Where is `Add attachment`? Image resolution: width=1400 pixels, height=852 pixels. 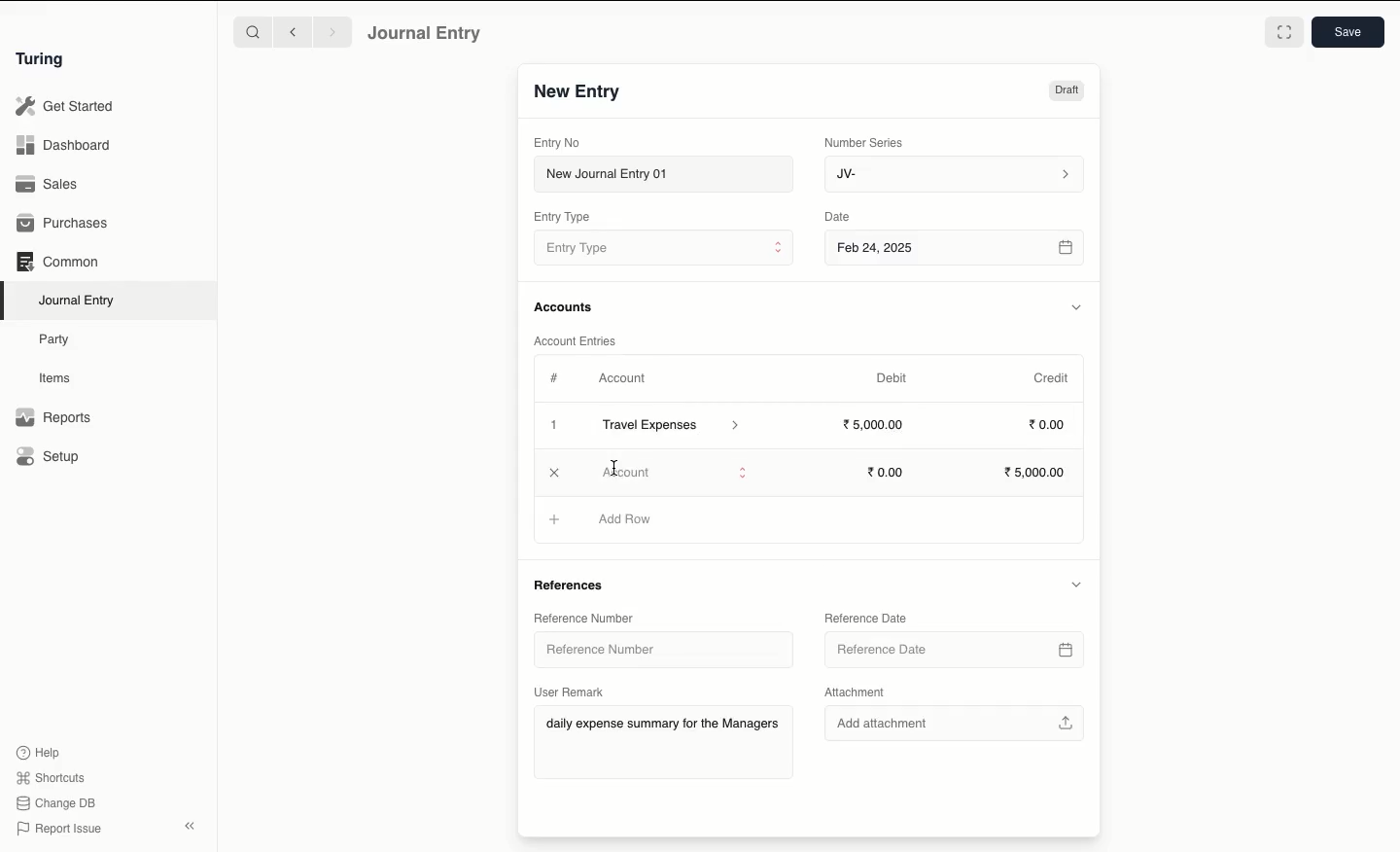
Add attachment is located at coordinates (956, 720).